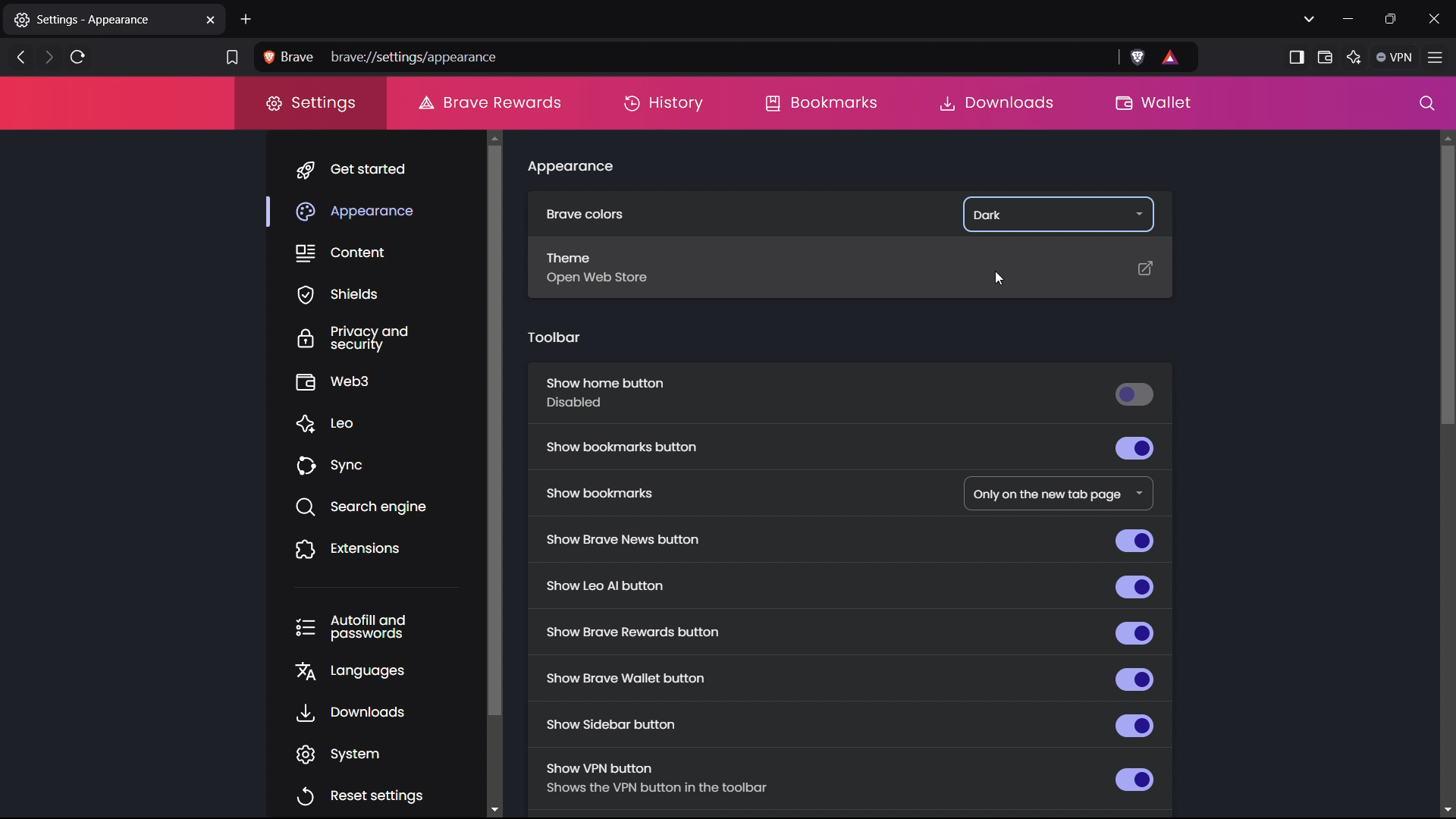 The image size is (1456, 819). What do you see at coordinates (1446, 808) in the screenshot?
I see `scroll down` at bounding box center [1446, 808].